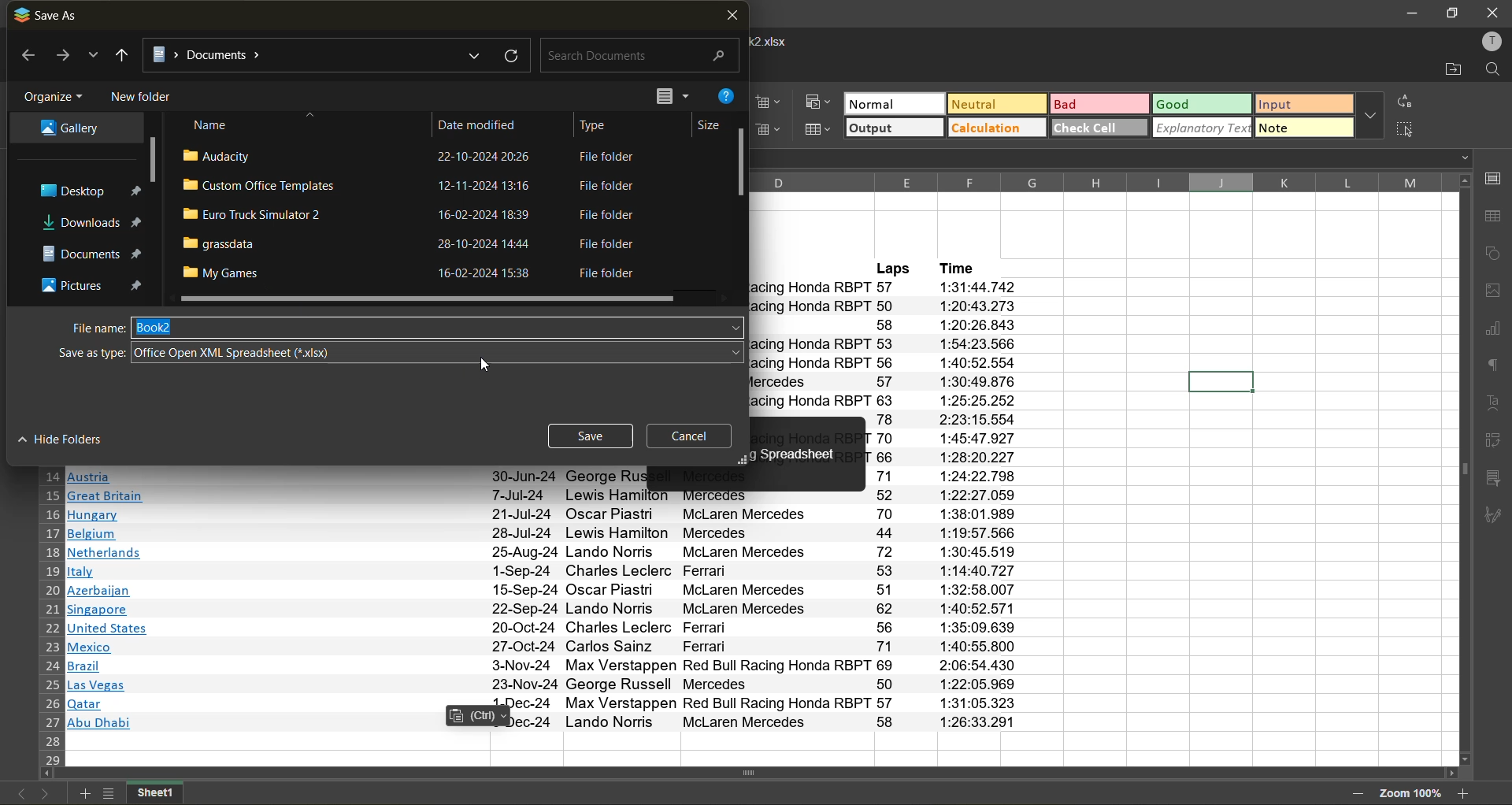 The image size is (1512, 805). What do you see at coordinates (84, 794) in the screenshot?
I see `add new sheet` at bounding box center [84, 794].